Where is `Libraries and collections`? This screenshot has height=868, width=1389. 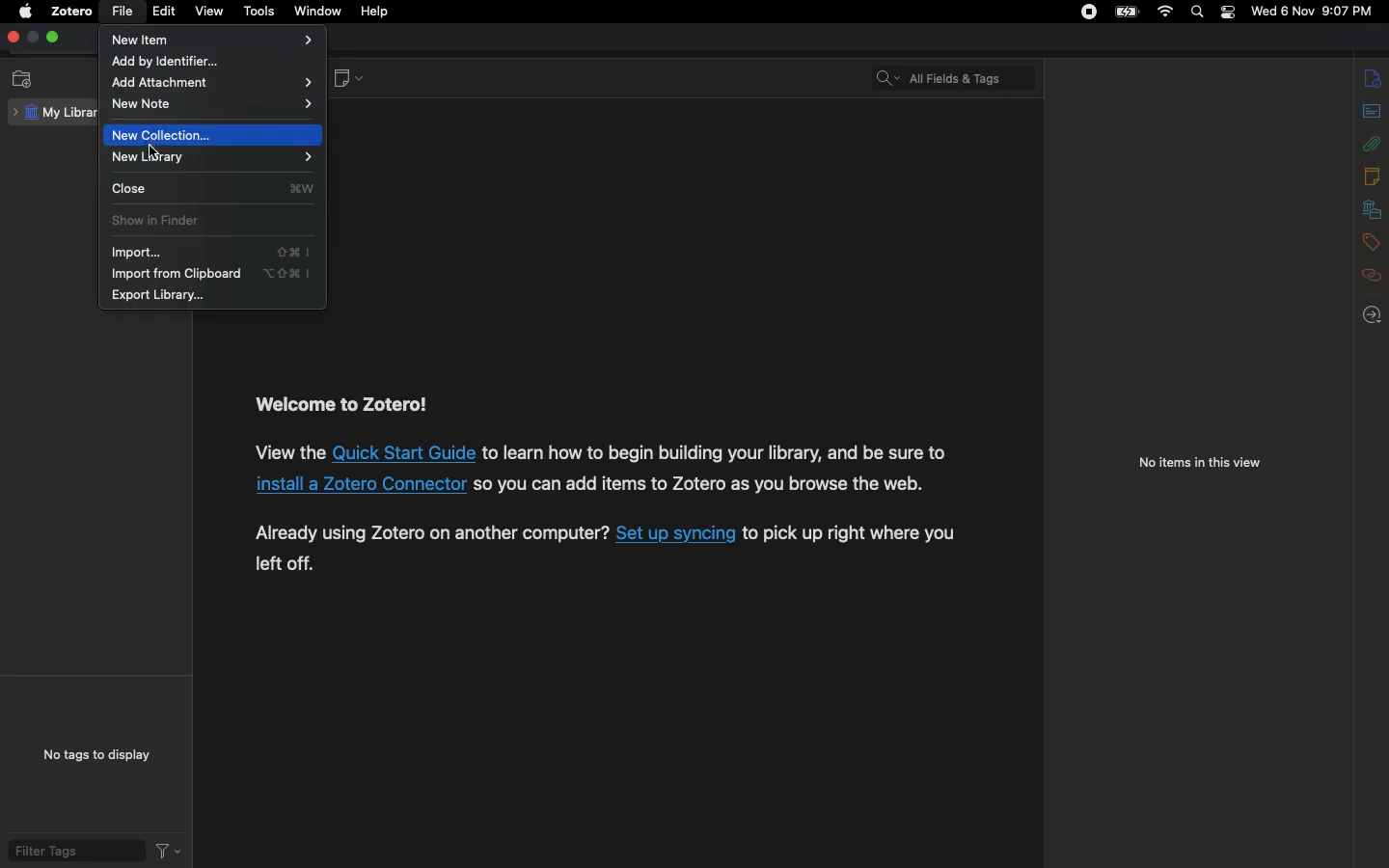 Libraries and collections is located at coordinates (1372, 210).